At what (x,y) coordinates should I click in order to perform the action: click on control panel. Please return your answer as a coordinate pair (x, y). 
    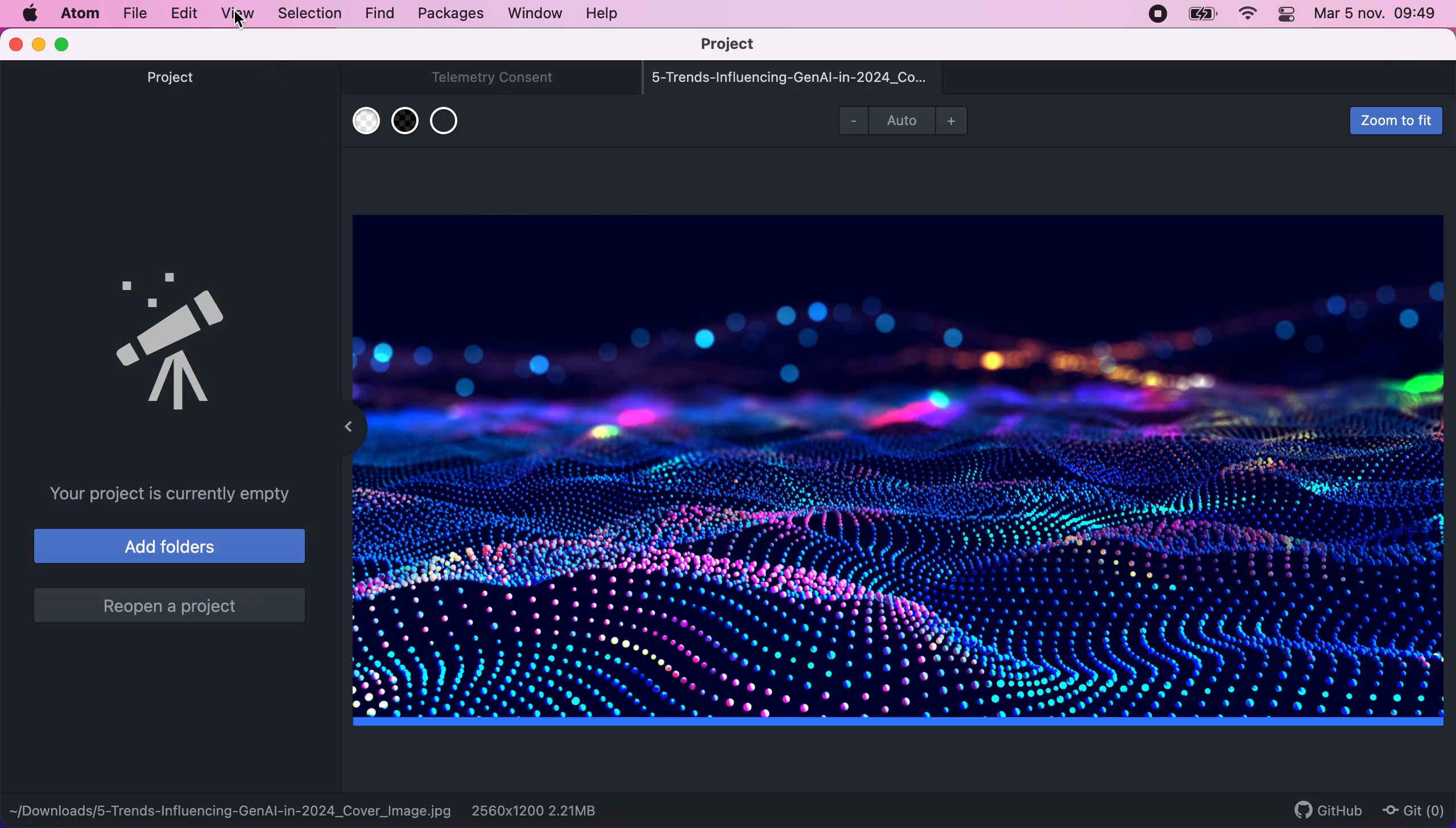
    Looking at the image, I should click on (1285, 14).